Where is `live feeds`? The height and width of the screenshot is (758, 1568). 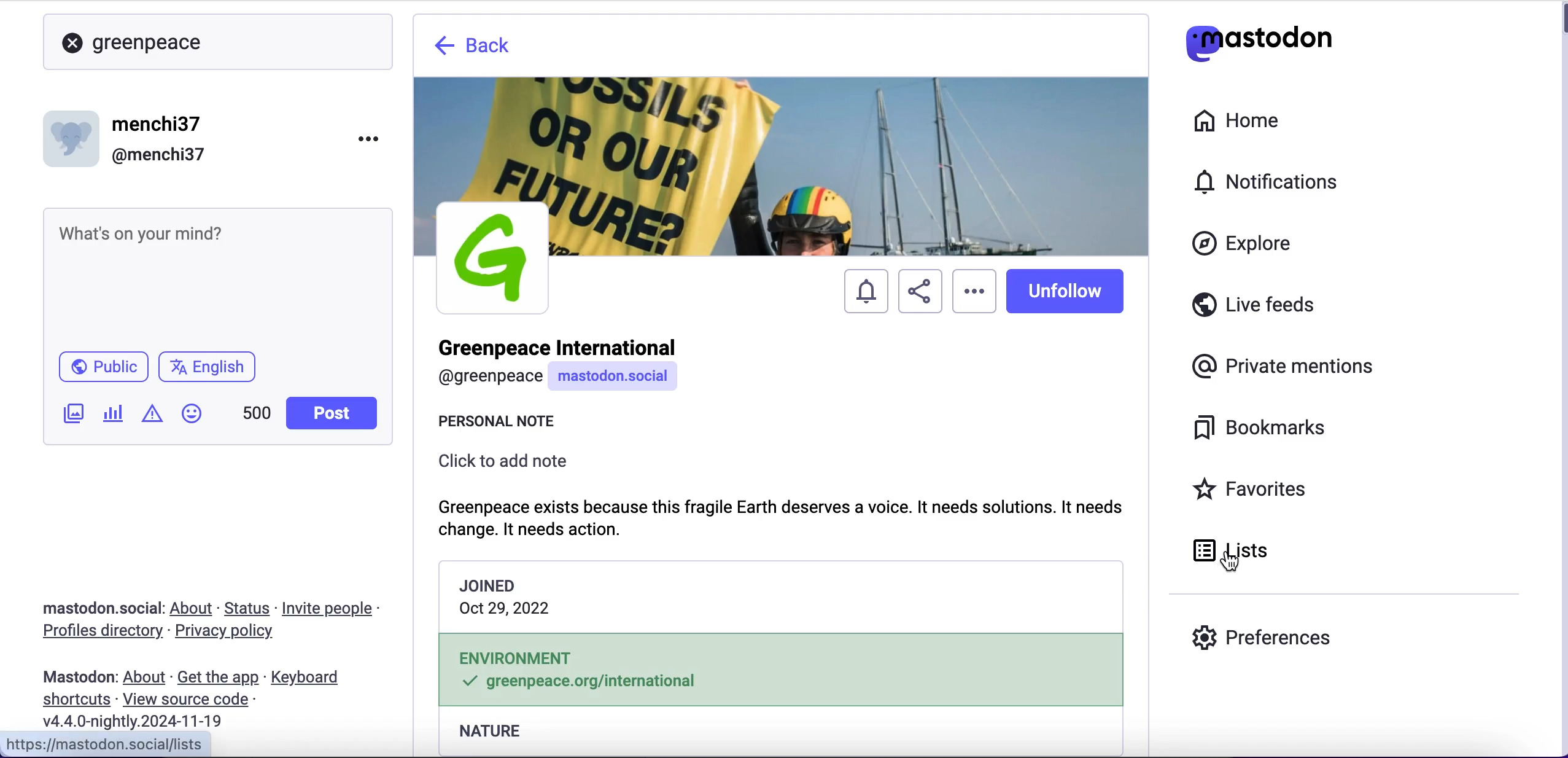 live feeds is located at coordinates (1254, 309).